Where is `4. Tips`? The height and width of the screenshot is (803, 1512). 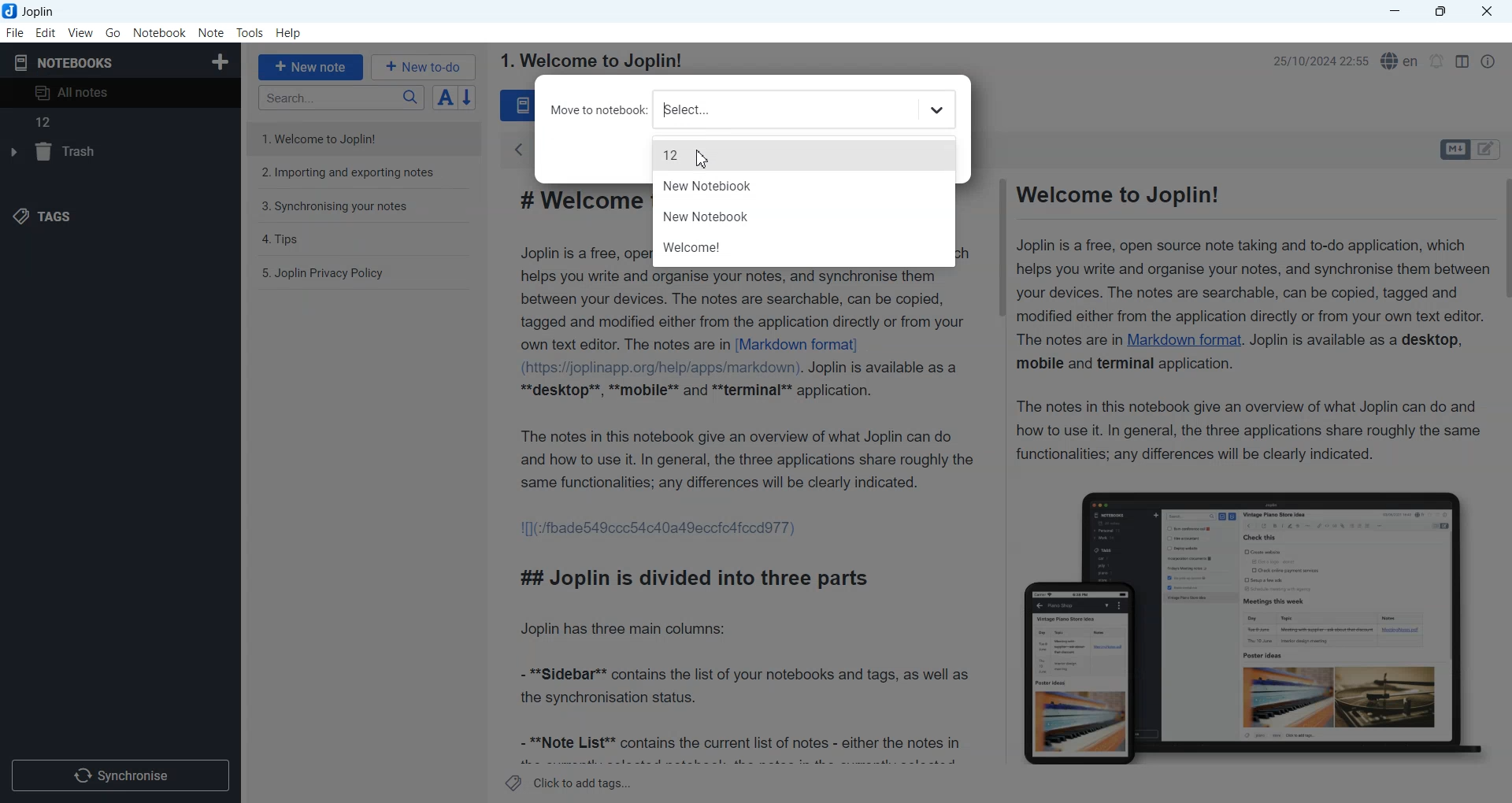 4. Tips is located at coordinates (282, 239).